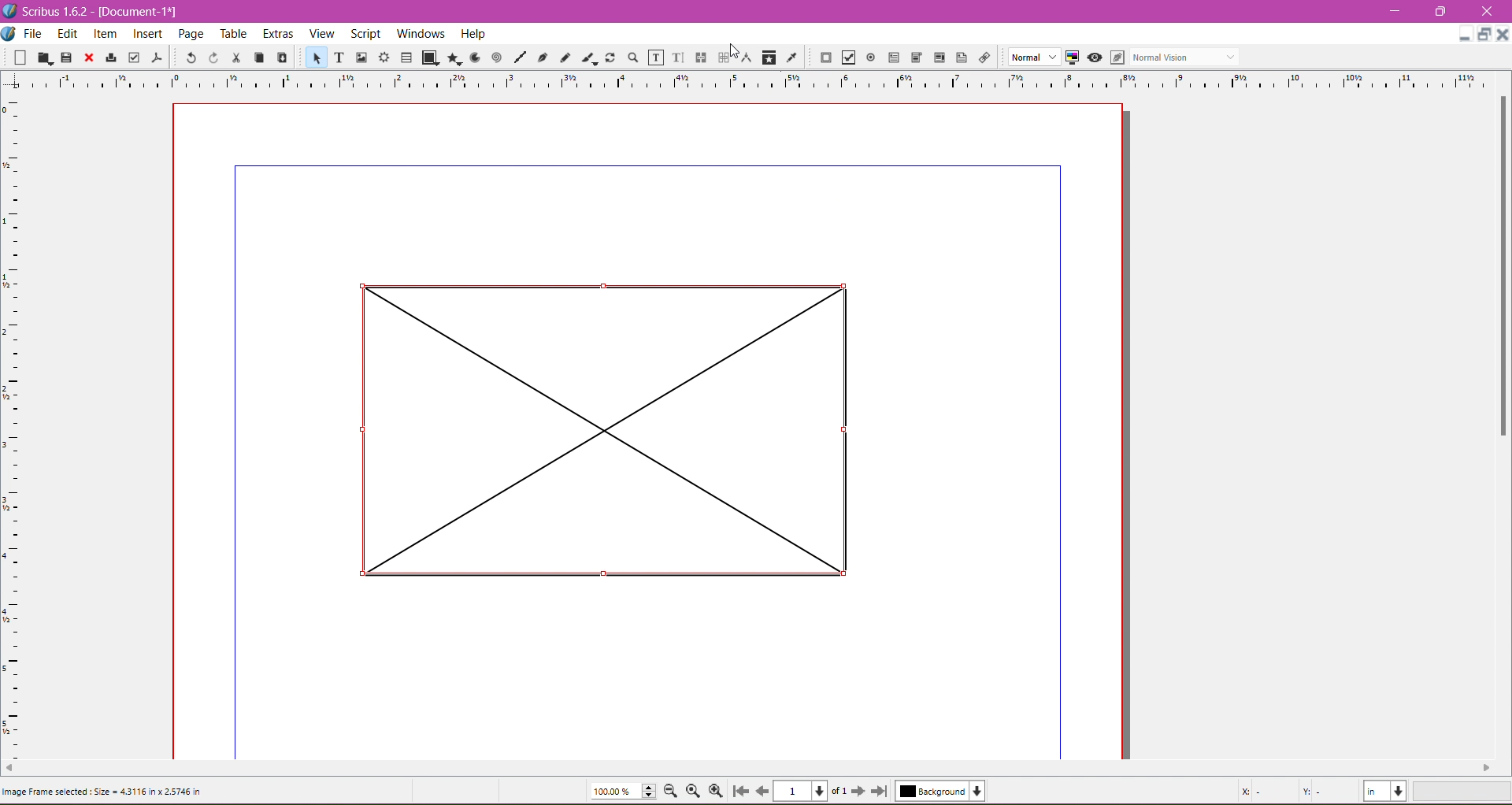 The width and height of the screenshot is (1512, 805). Describe the element at coordinates (159, 57) in the screenshot. I see `Save as PDF` at that location.